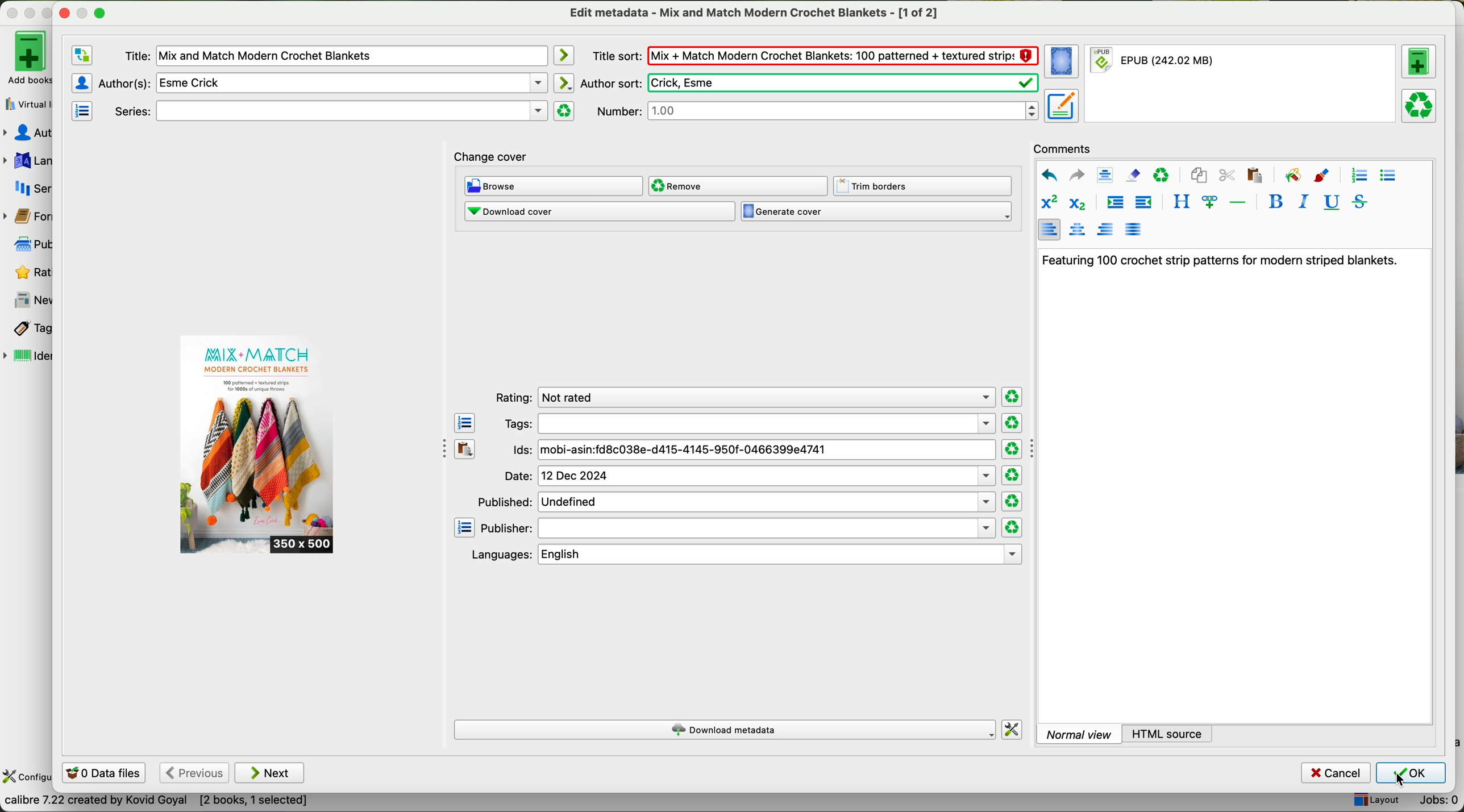 The height and width of the screenshot is (812, 1464). Describe the element at coordinates (1180, 202) in the screenshot. I see `style the selected text block` at that location.